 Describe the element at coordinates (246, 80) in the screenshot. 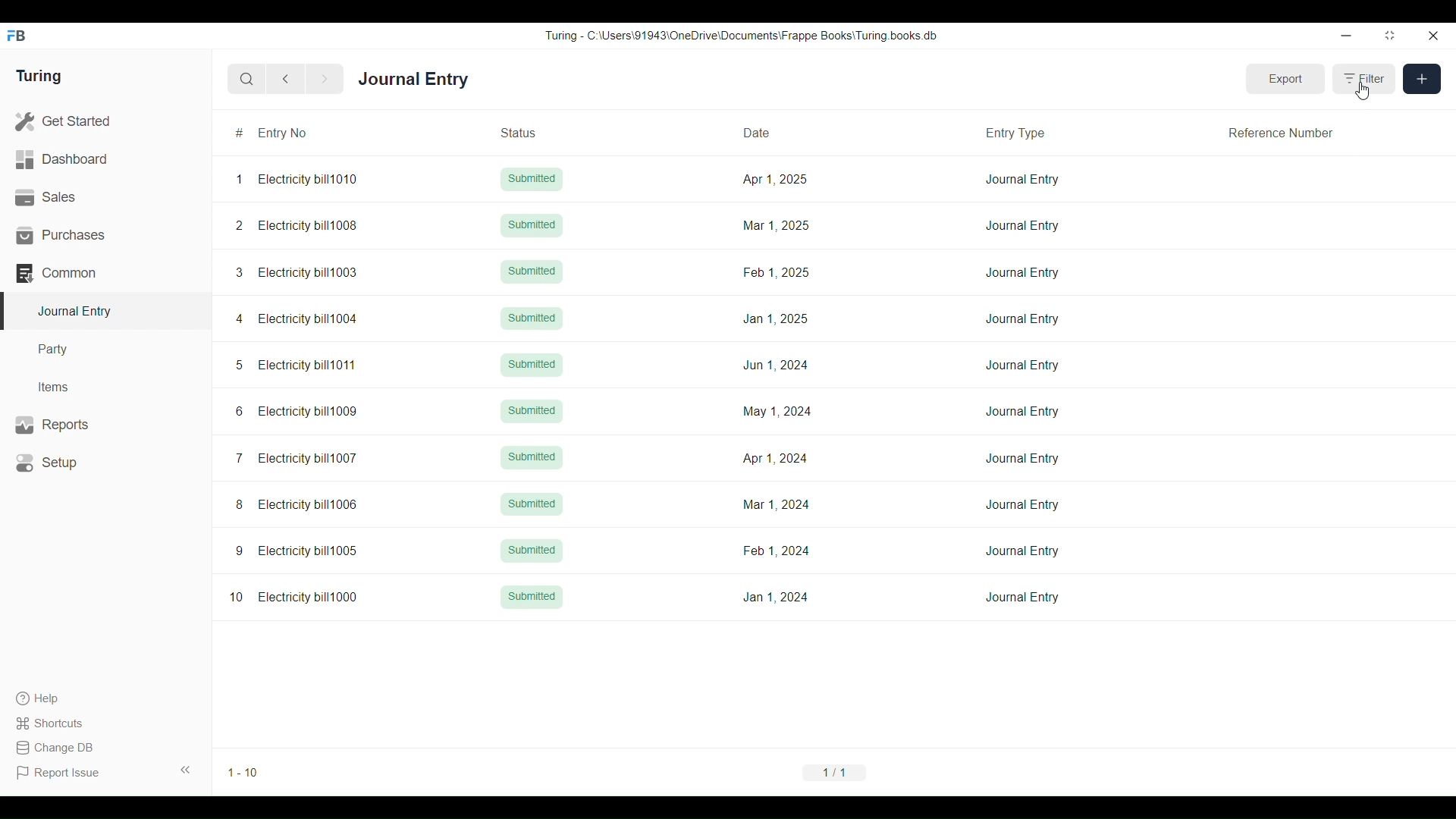

I see `Search` at that location.